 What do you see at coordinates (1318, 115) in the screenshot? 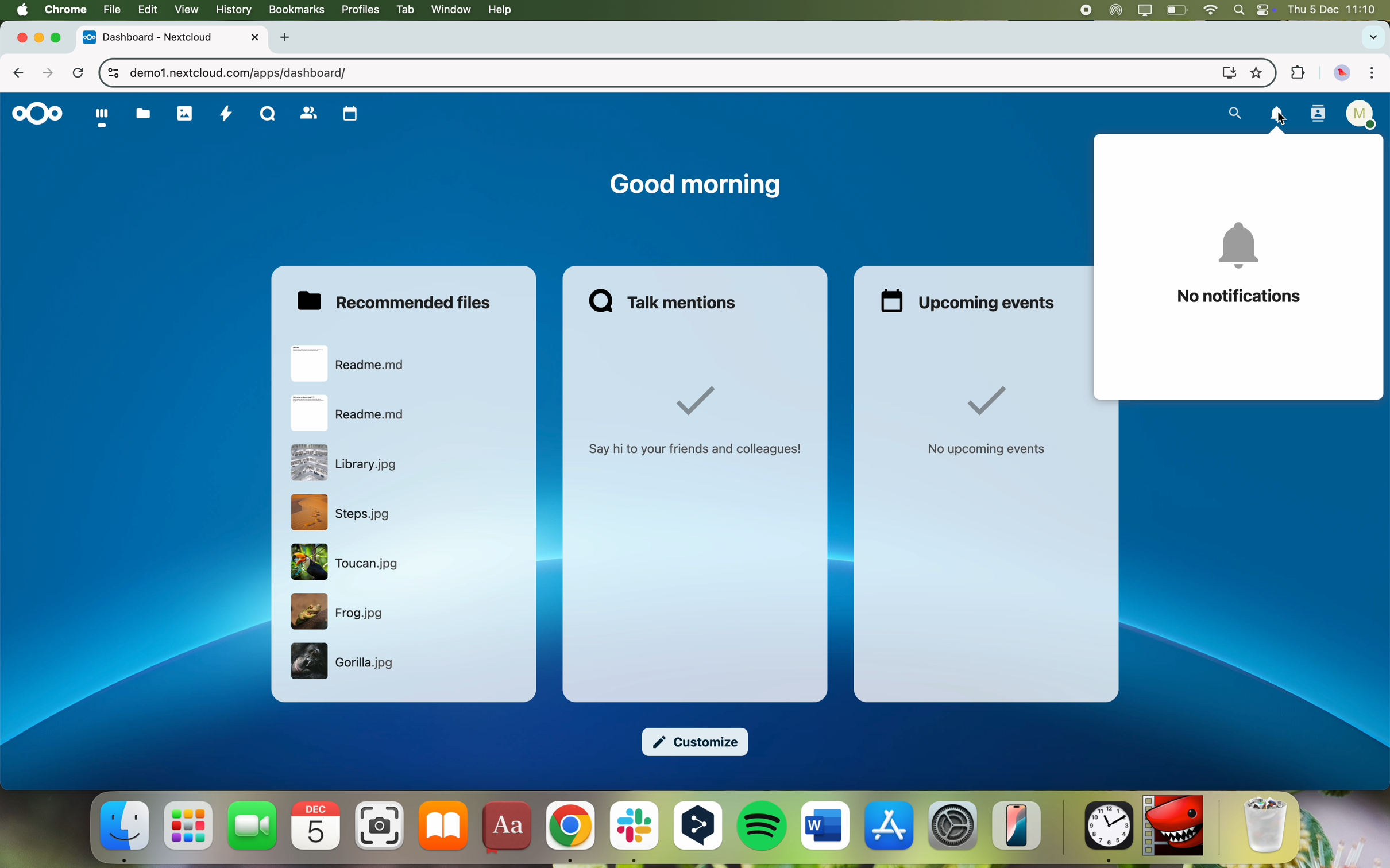
I see `contacts` at bounding box center [1318, 115].